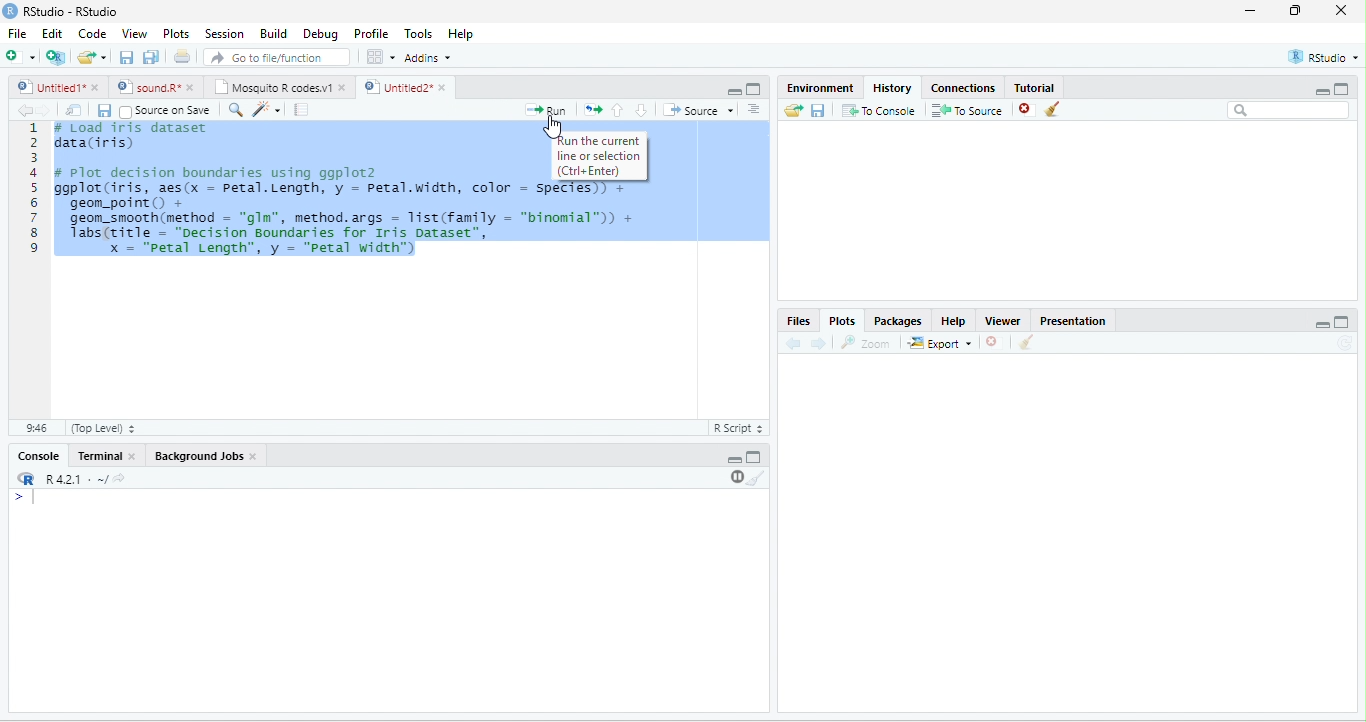 This screenshot has width=1366, height=722. I want to click on 68:46, so click(36, 428).